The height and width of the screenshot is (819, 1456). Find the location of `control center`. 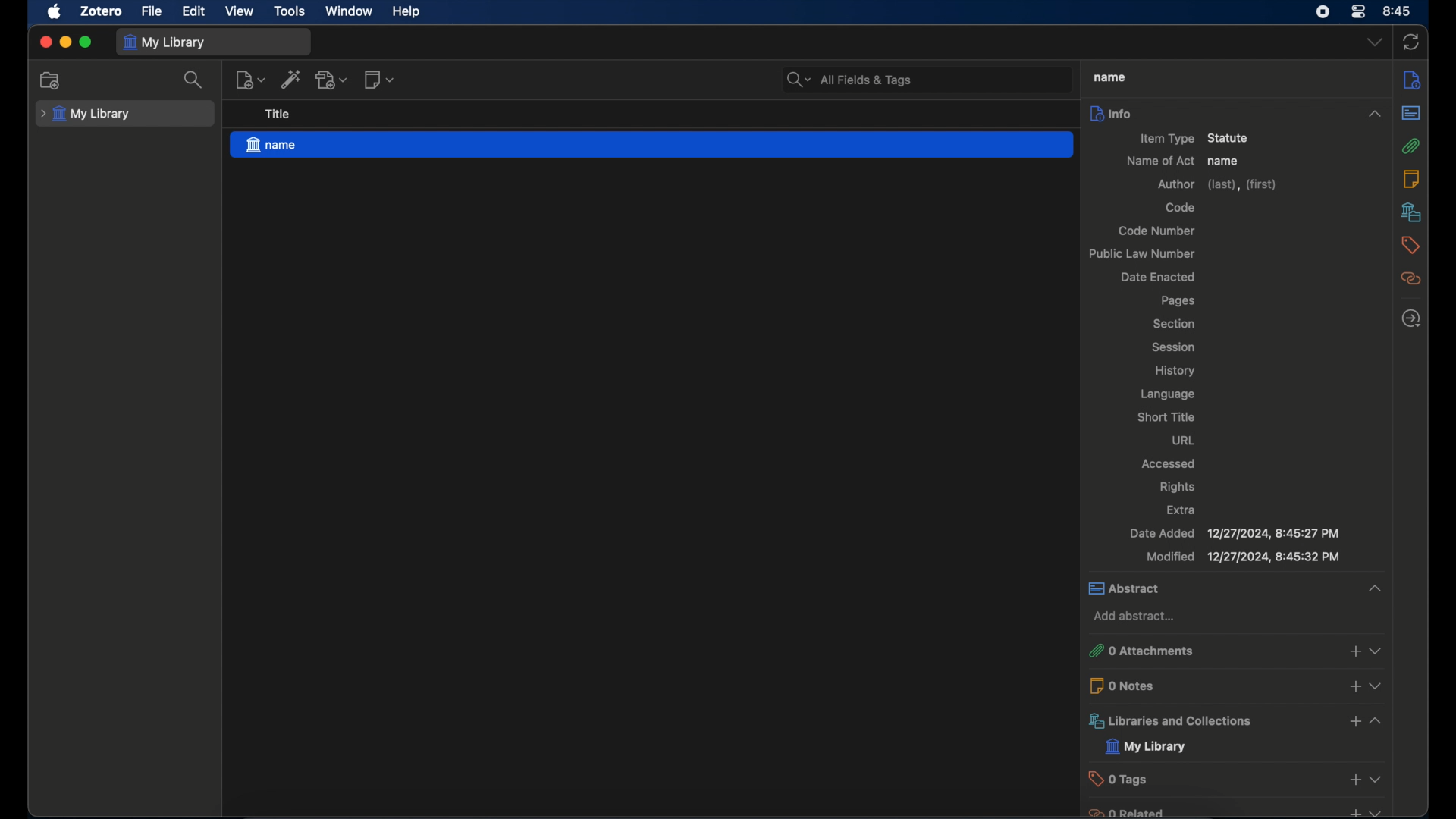

control center is located at coordinates (1323, 12).